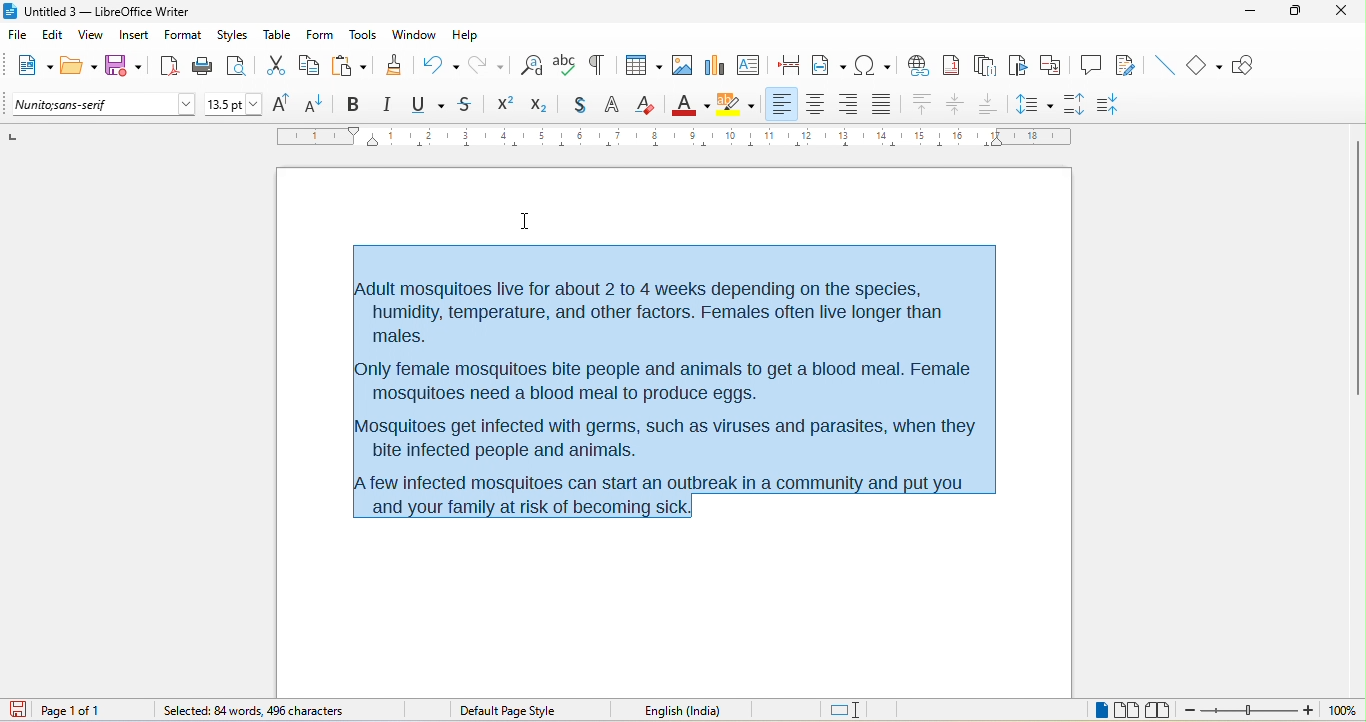  Describe the element at coordinates (1288, 12) in the screenshot. I see `maximize` at that location.